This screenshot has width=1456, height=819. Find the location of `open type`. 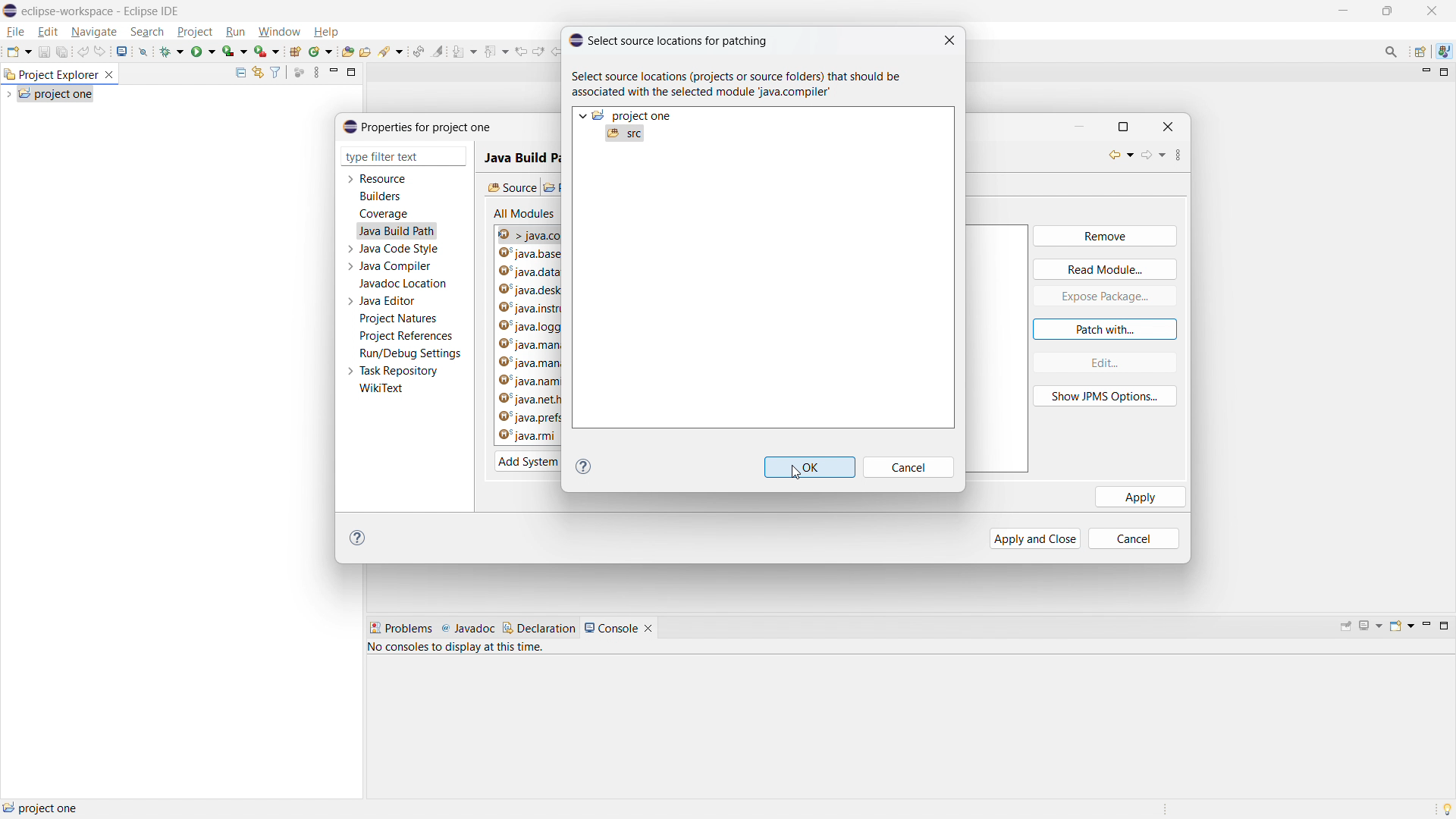

open type is located at coordinates (348, 51).